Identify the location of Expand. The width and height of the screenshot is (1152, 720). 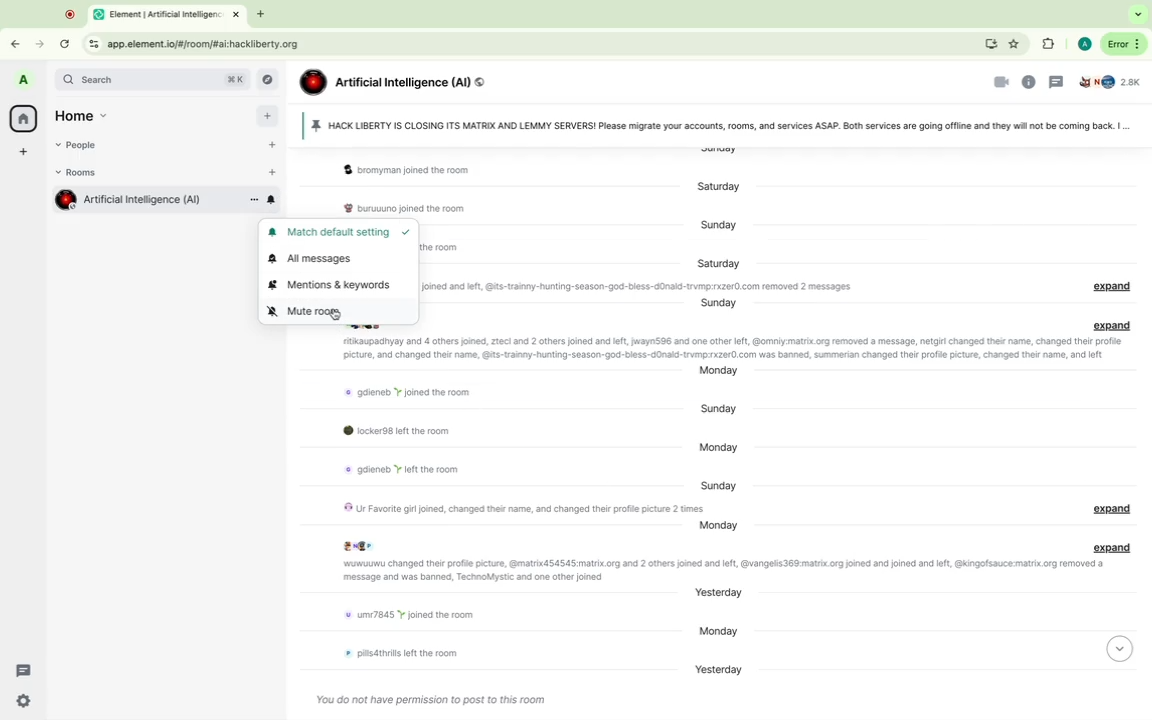
(1113, 326).